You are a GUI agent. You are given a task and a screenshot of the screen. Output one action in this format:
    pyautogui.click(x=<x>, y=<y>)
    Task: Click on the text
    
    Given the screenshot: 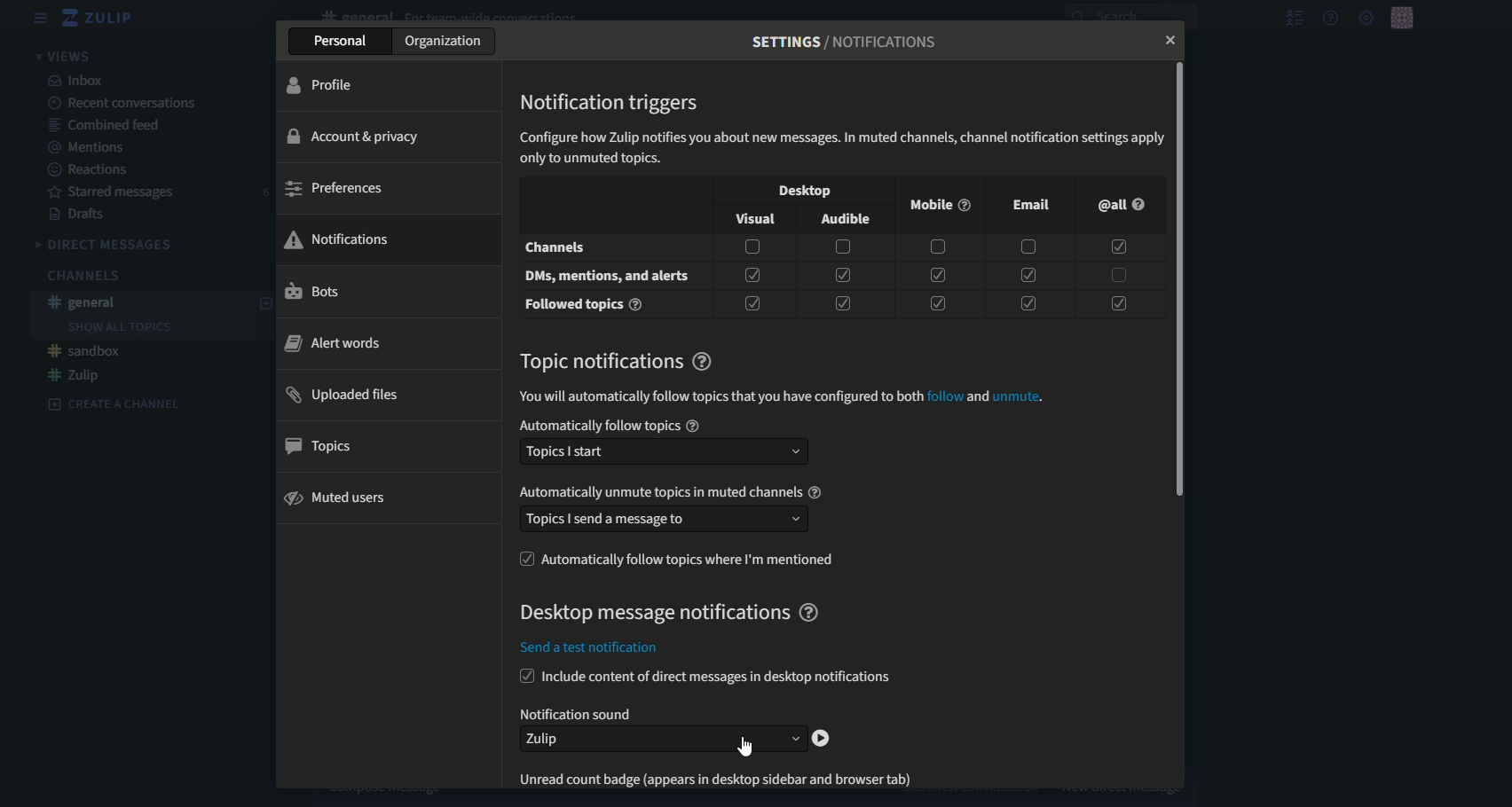 What is the action you would take?
    pyautogui.click(x=611, y=426)
    